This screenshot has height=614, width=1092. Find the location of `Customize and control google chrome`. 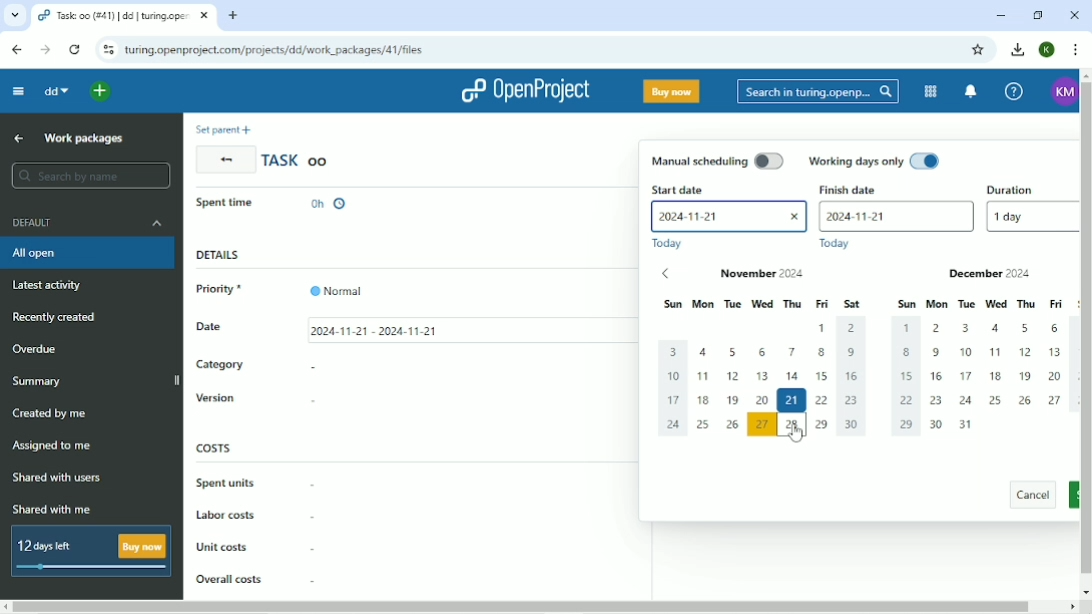

Customize and control google chrome is located at coordinates (1074, 50).